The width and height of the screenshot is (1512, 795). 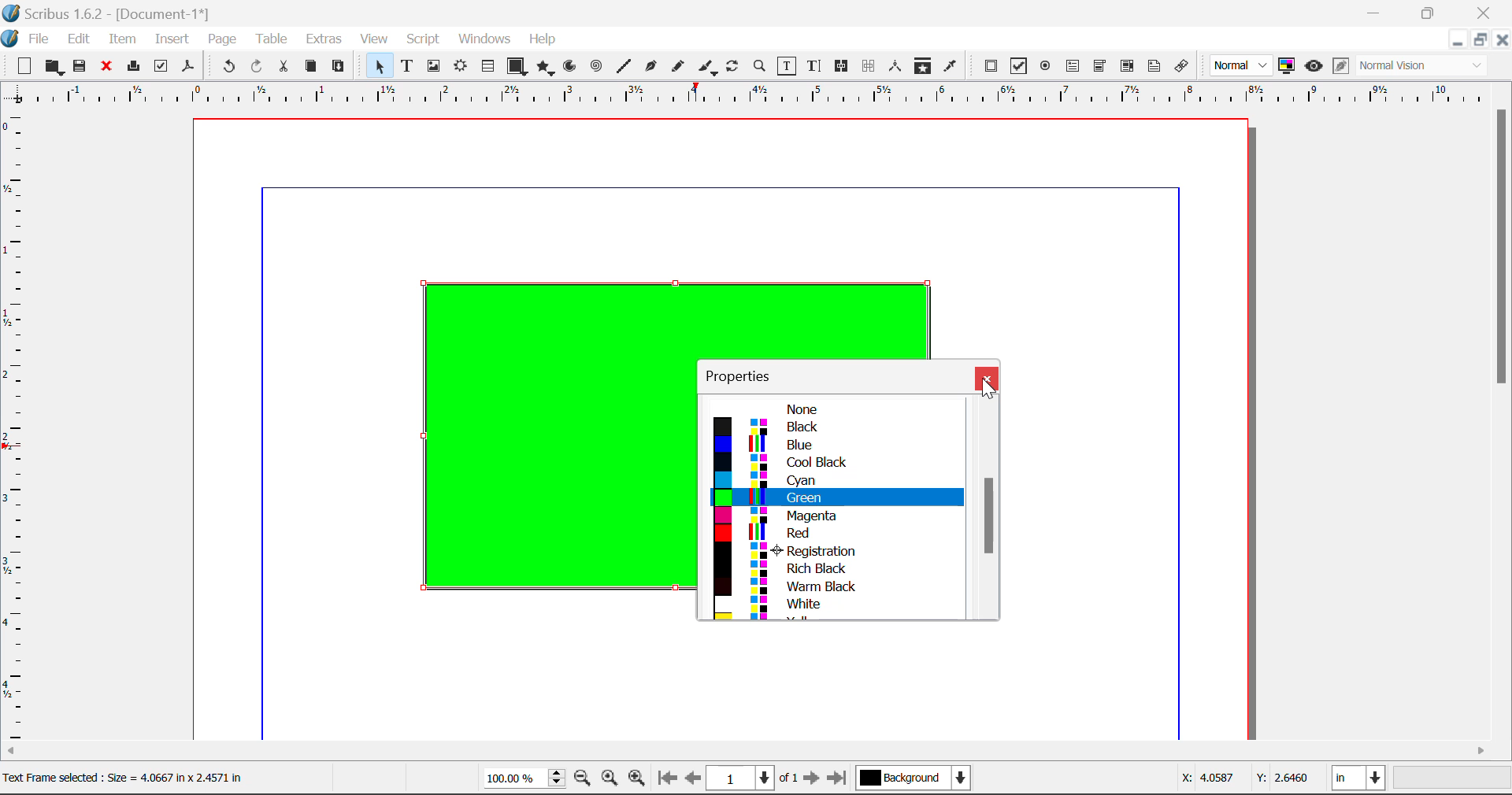 I want to click on Script, so click(x=424, y=41).